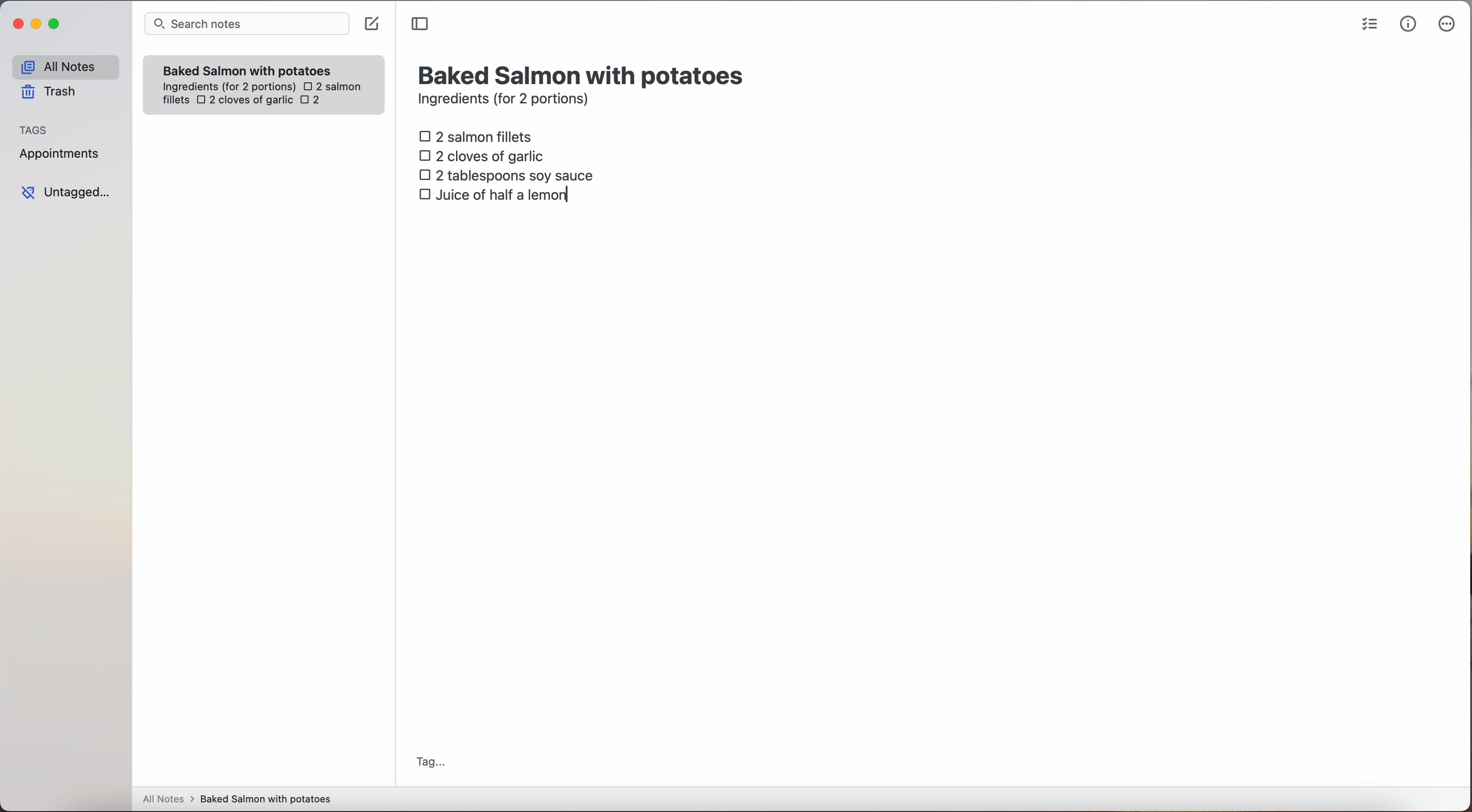 The width and height of the screenshot is (1472, 812). I want to click on 2 salmon, so click(331, 85).